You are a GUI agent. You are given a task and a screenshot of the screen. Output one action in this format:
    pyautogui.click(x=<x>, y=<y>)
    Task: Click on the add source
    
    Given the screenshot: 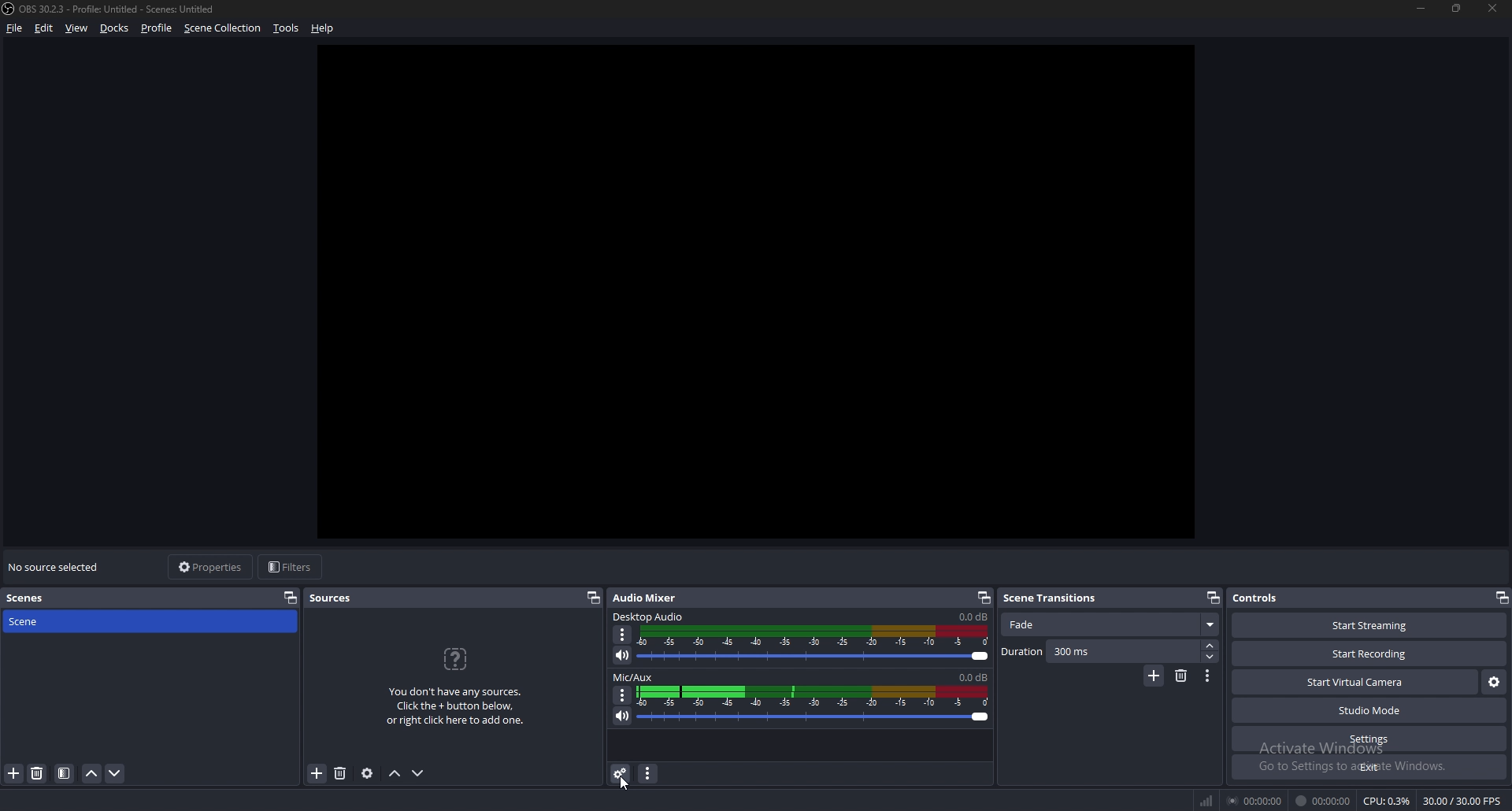 What is the action you would take?
    pyautogui.click(x=316, y=774)
    